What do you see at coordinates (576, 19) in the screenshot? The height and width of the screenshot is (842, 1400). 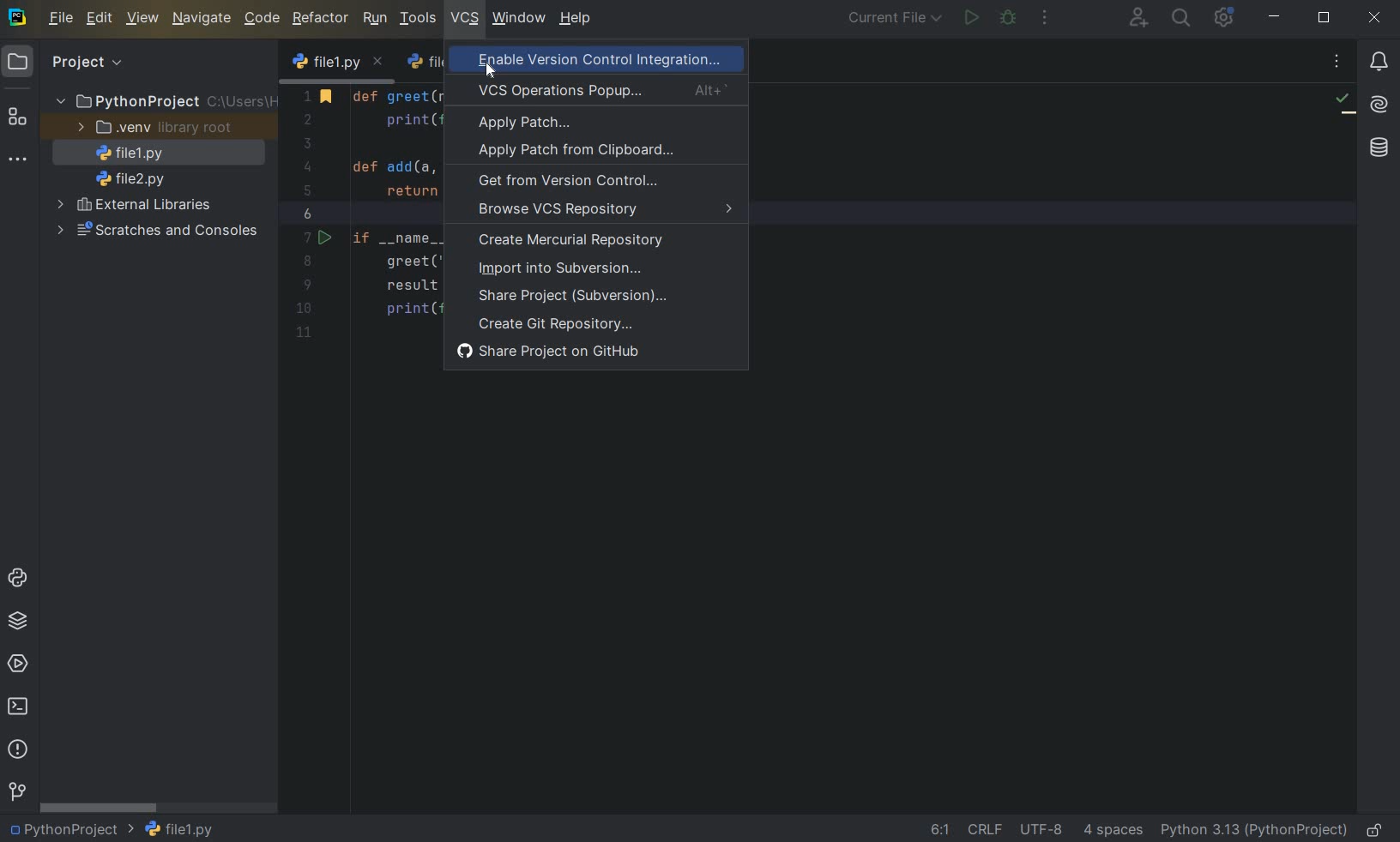 I see `help` at bounding box center [576, 19].